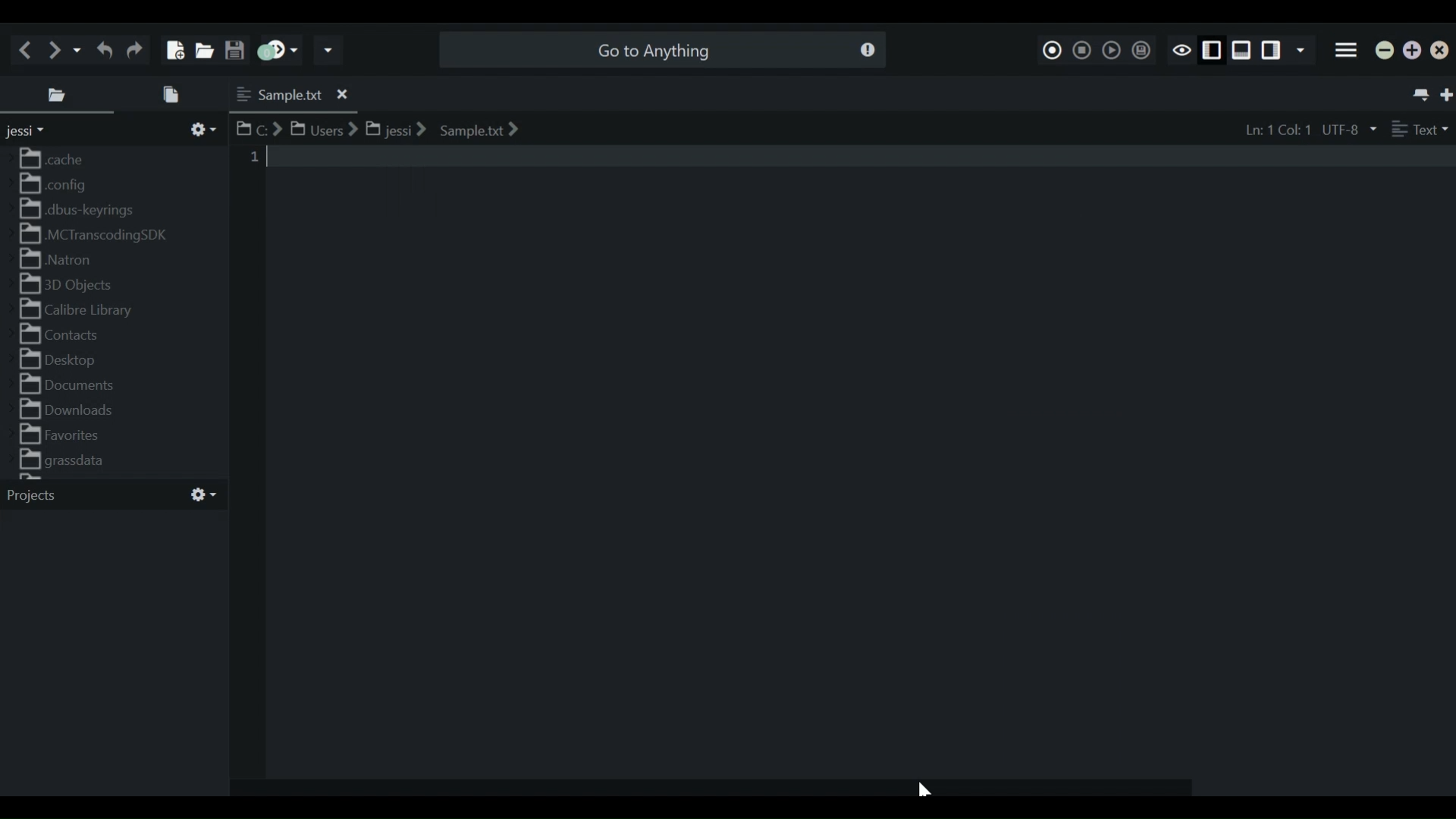 The width and height of the screenshot is (1456, 819). Describe the element at coordinates (1384, 51) in the screenshot. I see `minimize` at that location.